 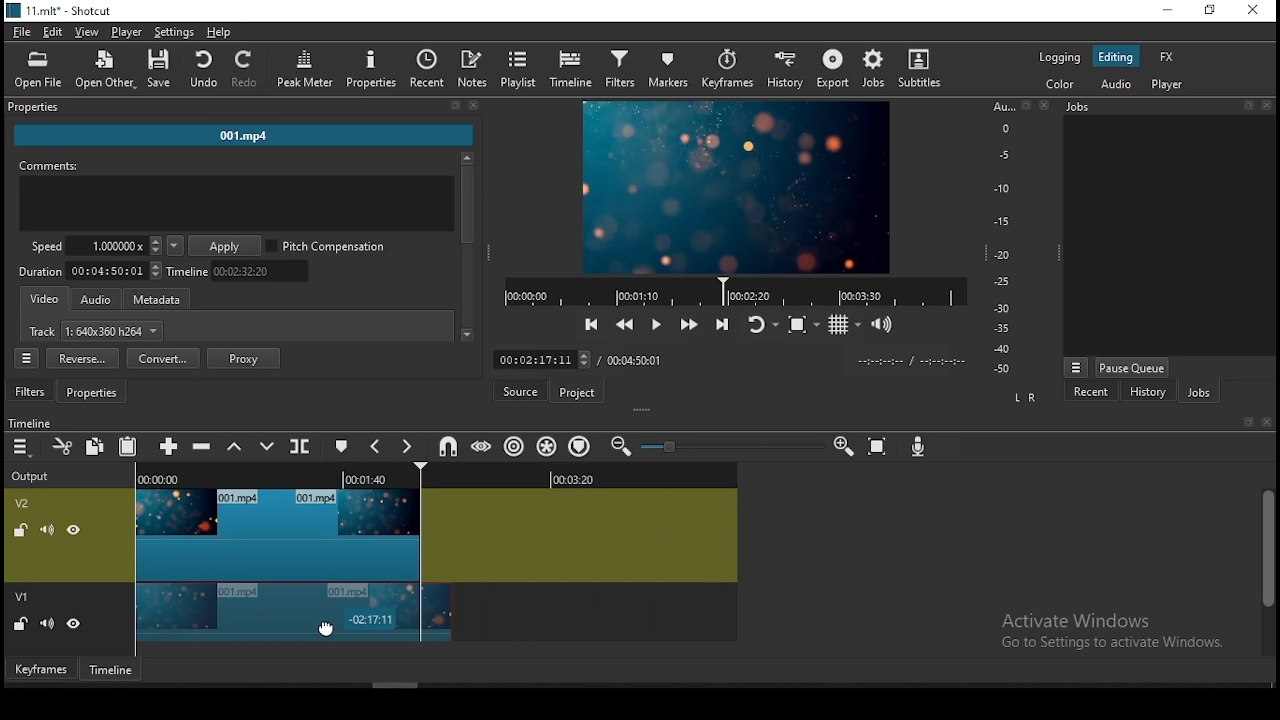 What do you see at coordinates (1093, 394) in the screenshot?
I see `recent` at bounding box center [1093, 394].